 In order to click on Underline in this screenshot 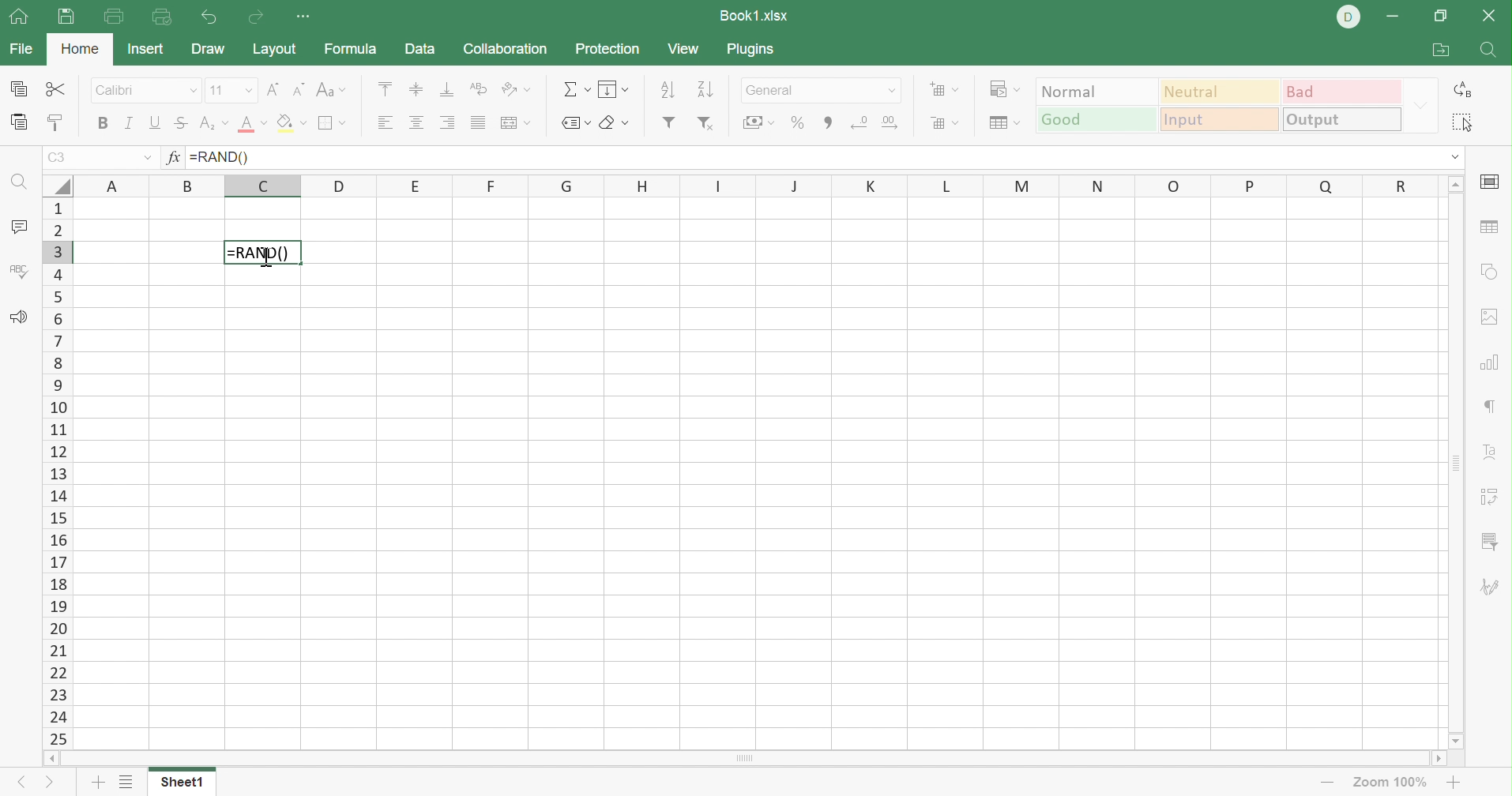, I will do `click(154, 121)`.